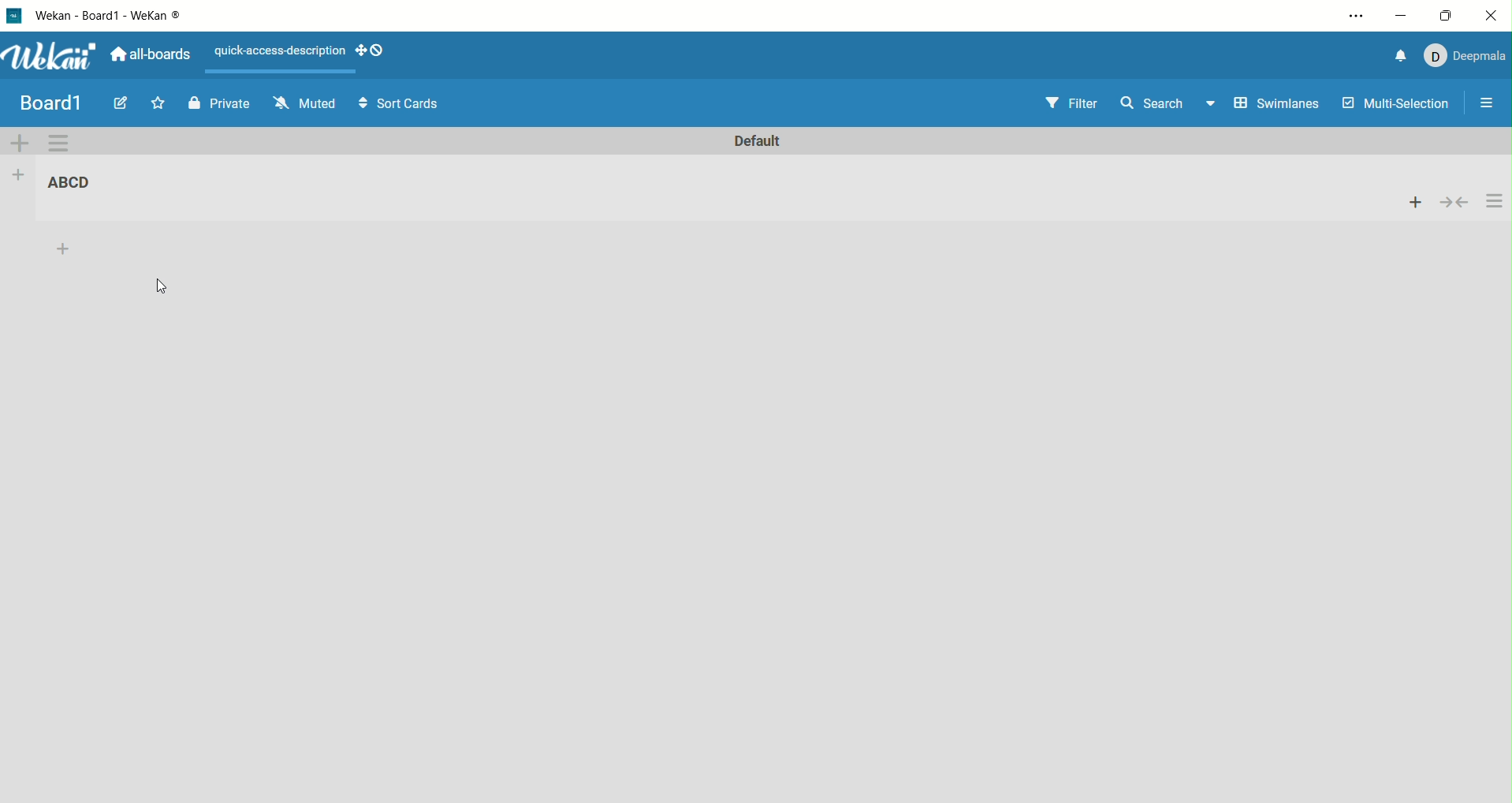 This screenshot has width=1512, height=803. Describe the element at coordinates (12, 17) in the screenshot. I see `logo` at that location.